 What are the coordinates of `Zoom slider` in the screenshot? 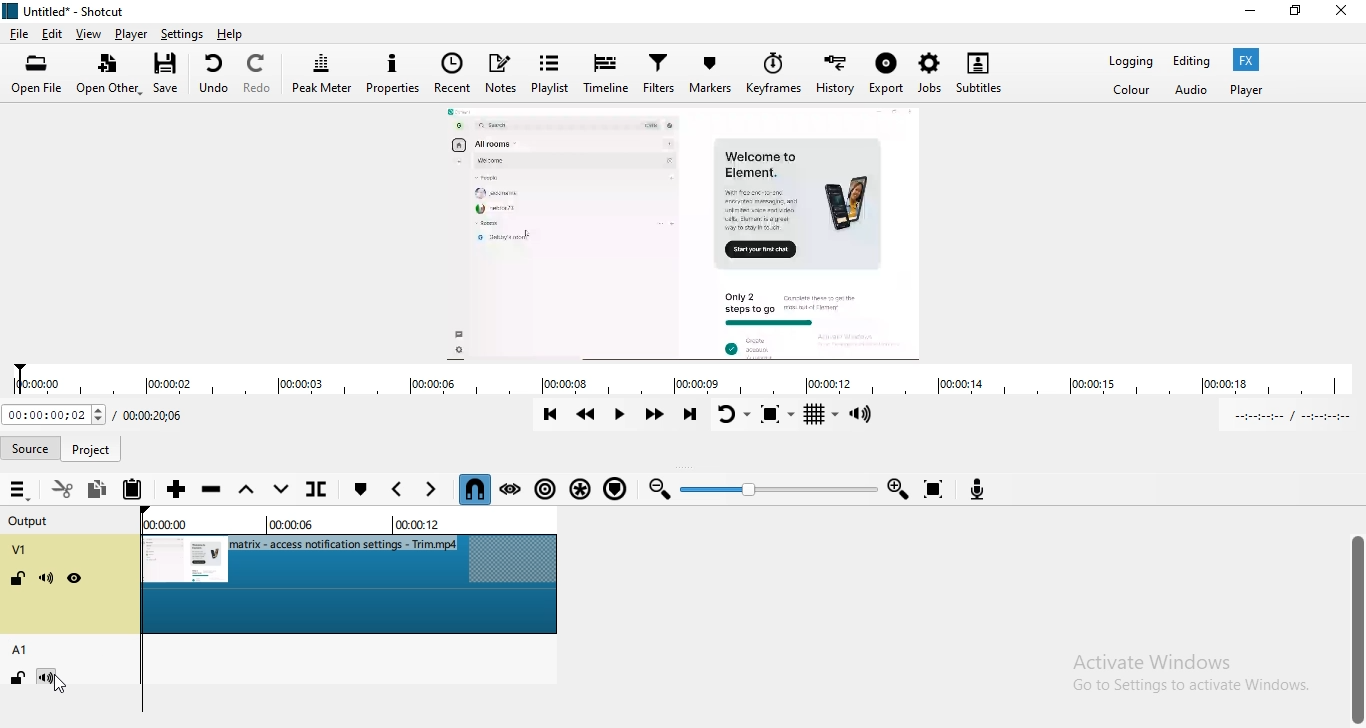 It's located at (778, 488).